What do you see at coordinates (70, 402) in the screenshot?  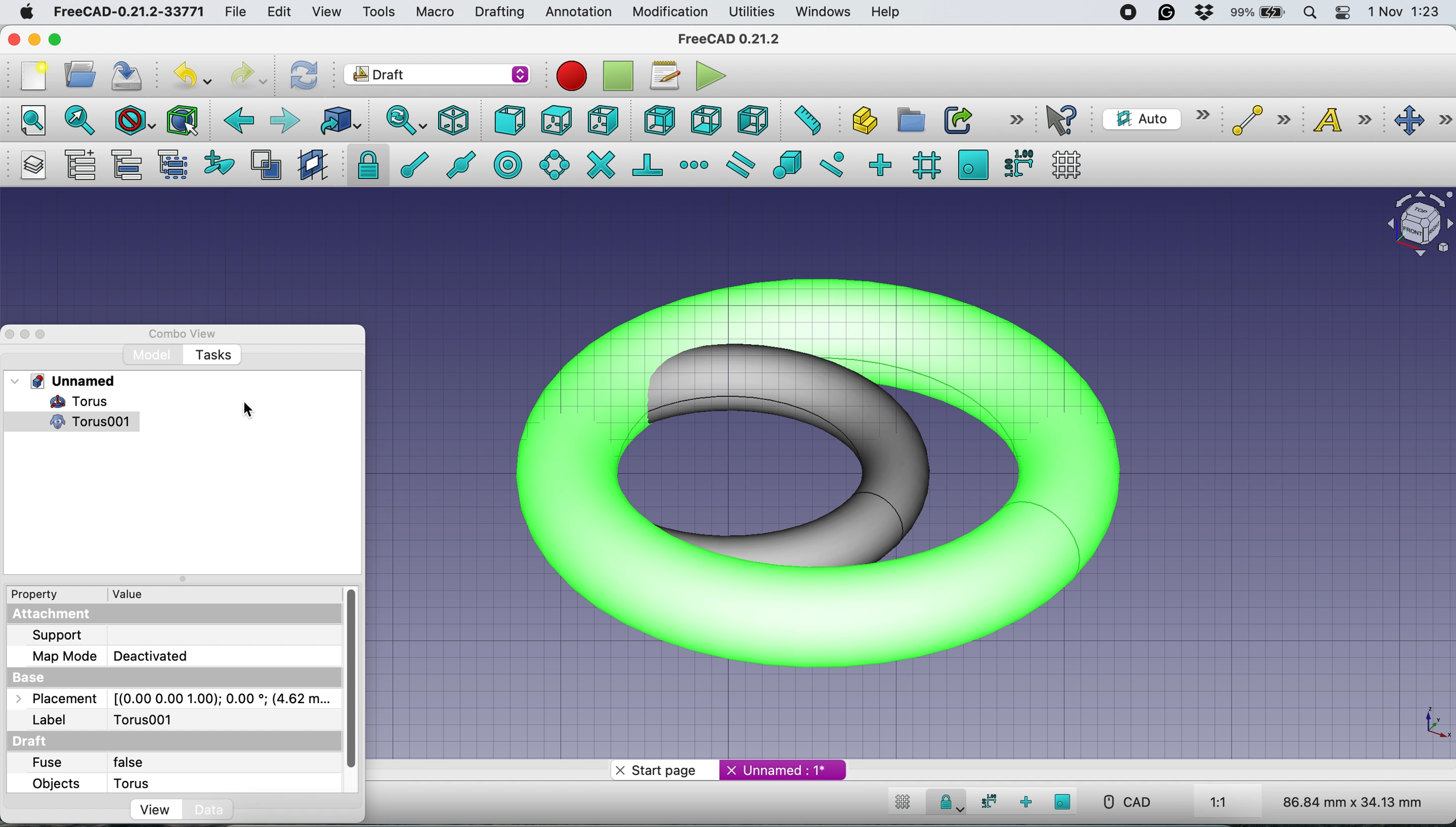 I see `Torus` at bounding box center [70, 402].